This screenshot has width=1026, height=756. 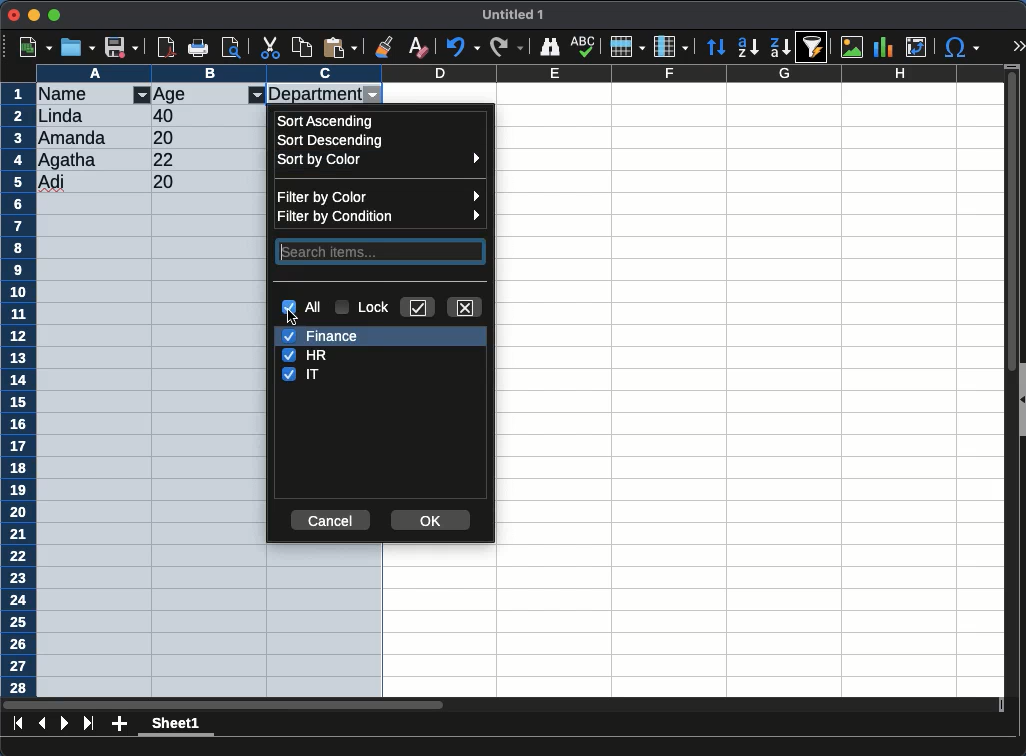 I want to click on filter, so click(x=257, y=95).